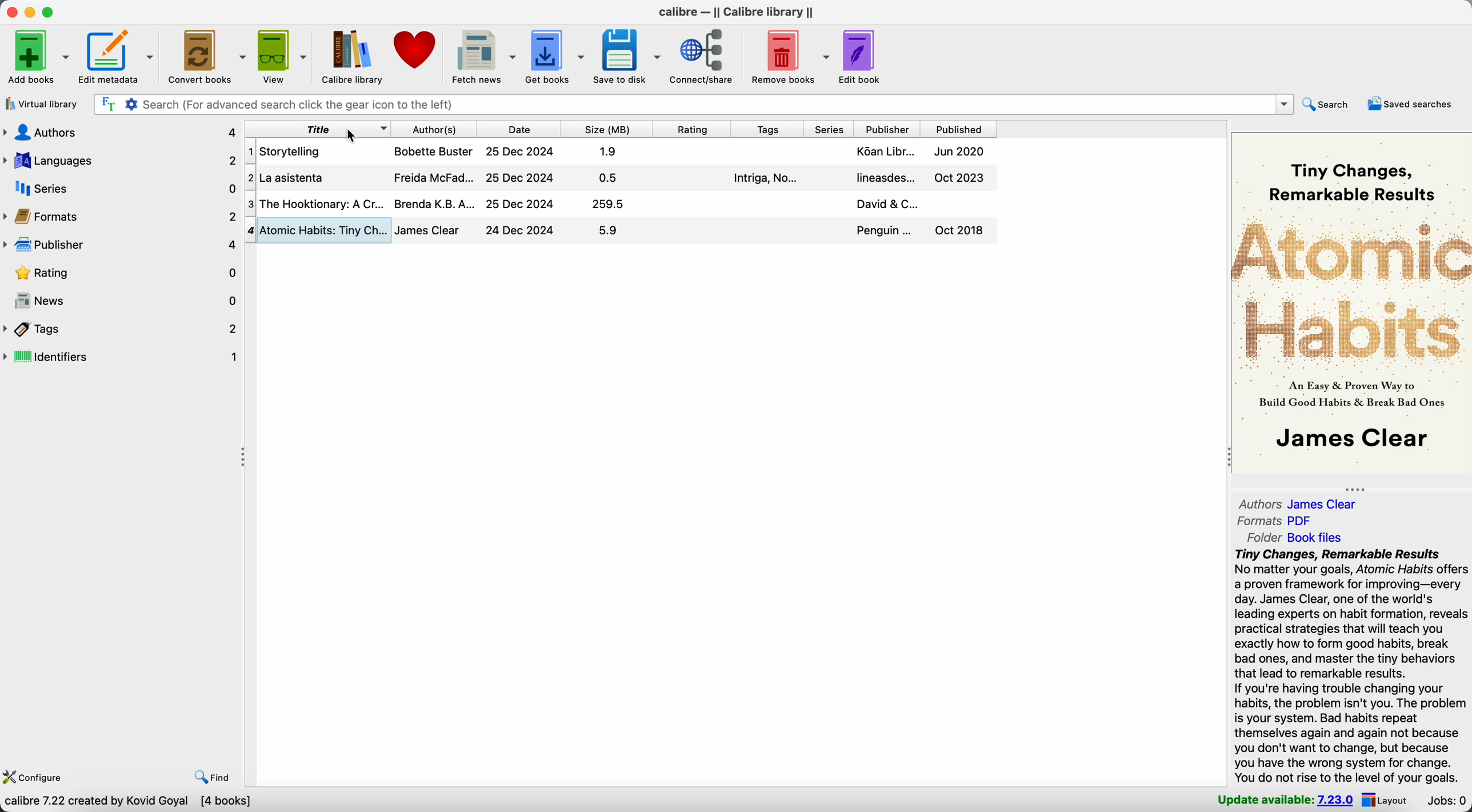 This screenshot has height=812, width=1472. I want to click on maximize, so click(51, 12).